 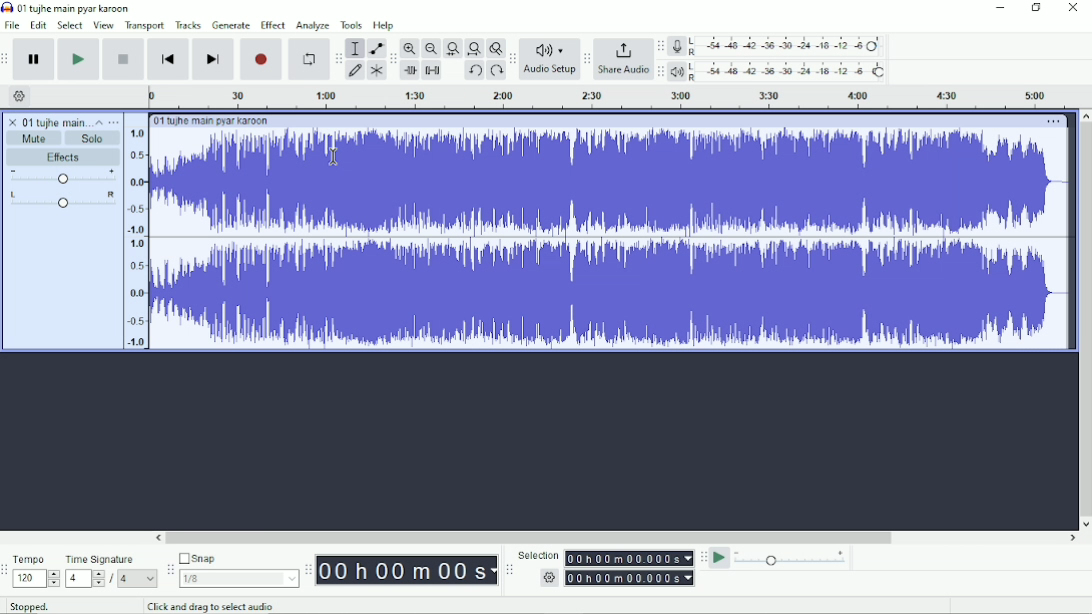 What do you see at coordinates (609, 97) in the screenshot?
I see `Timeline` at bounding box center [609, 97].